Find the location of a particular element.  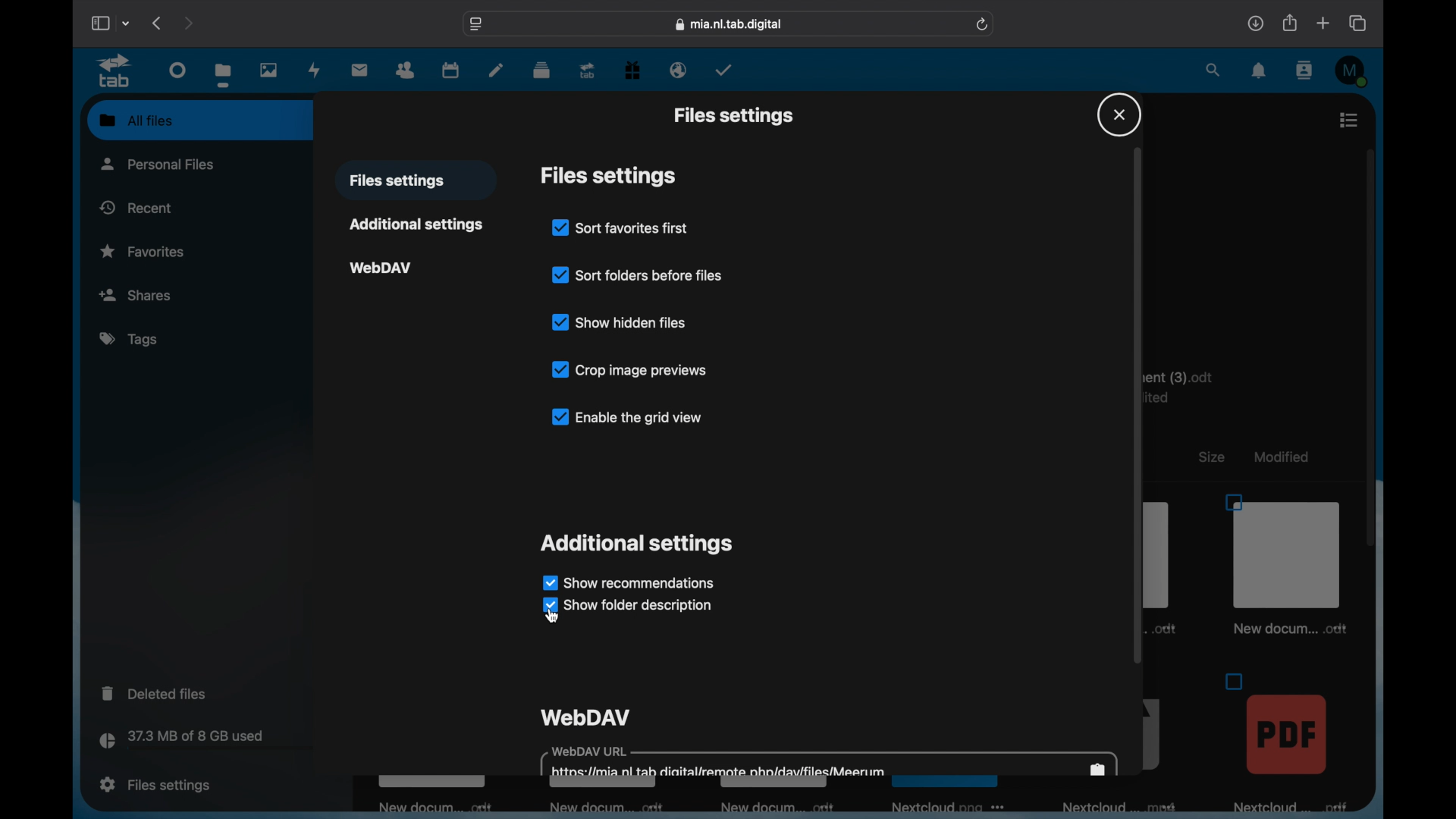

tasks is located at coordinates (723, 70).